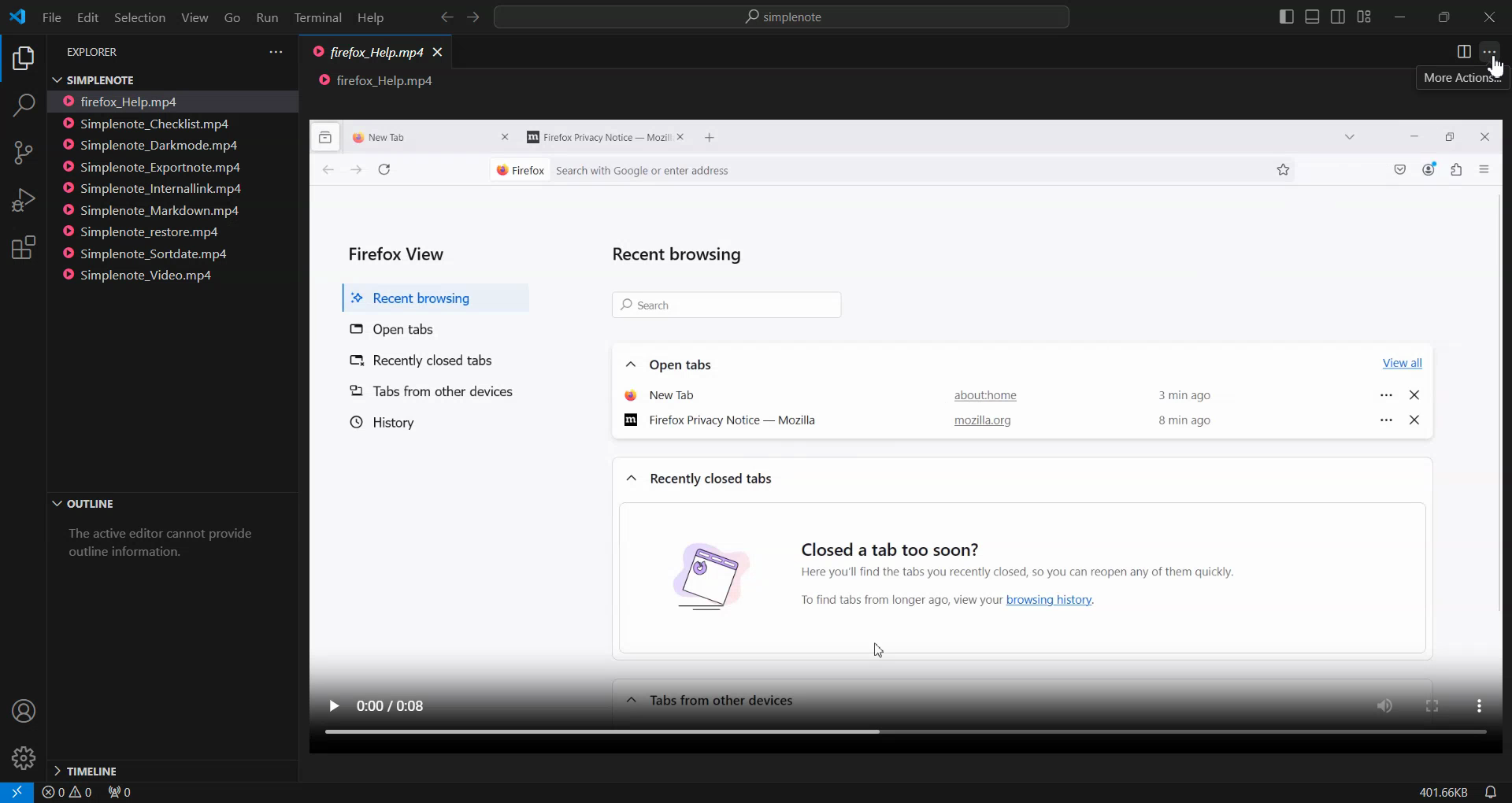  Describe the element at coordinates (877, 645) in the screenshot. I see `cursor` at that location.